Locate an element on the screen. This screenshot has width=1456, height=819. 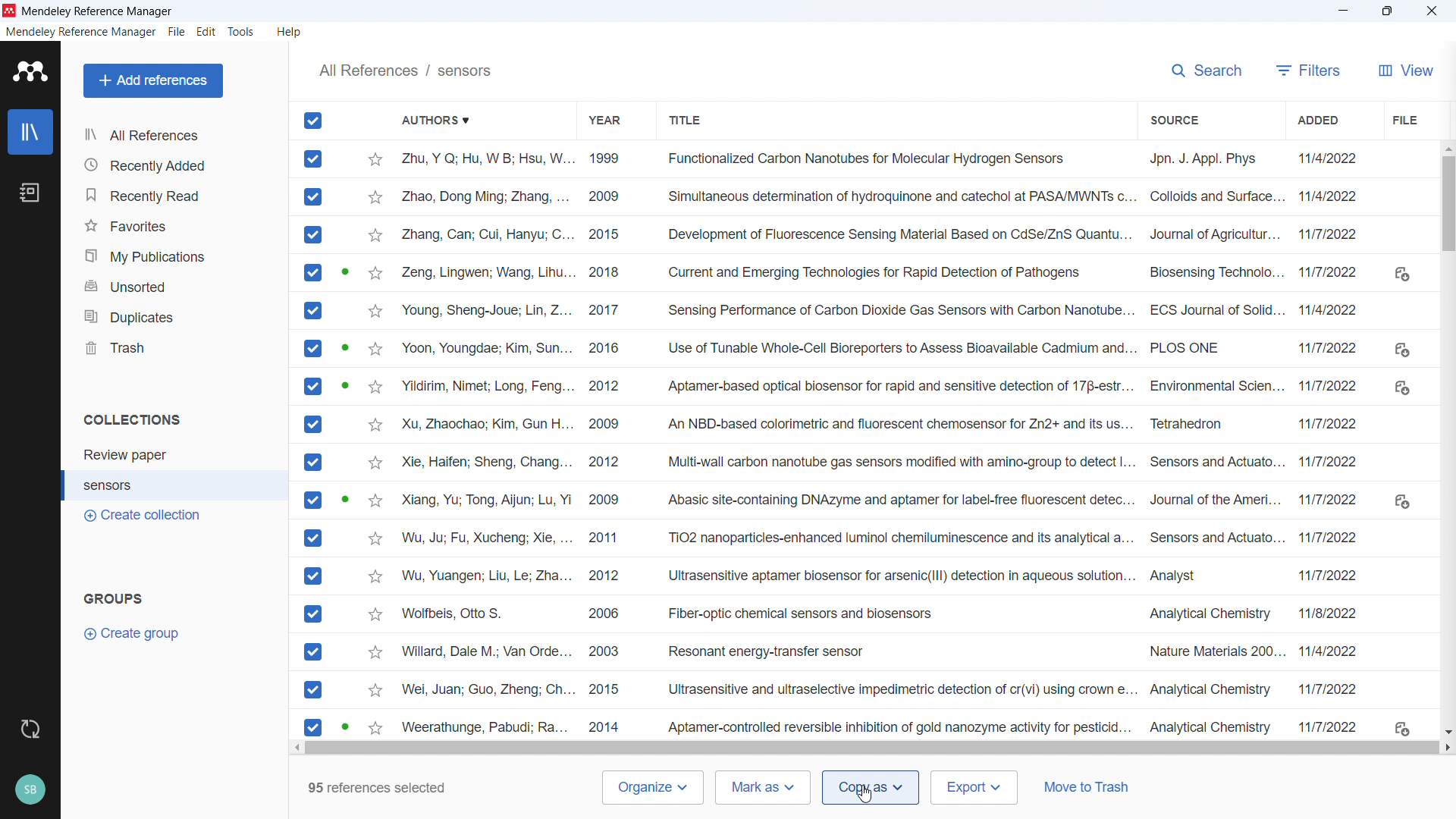
search  is located at coordinates (1204, 71).